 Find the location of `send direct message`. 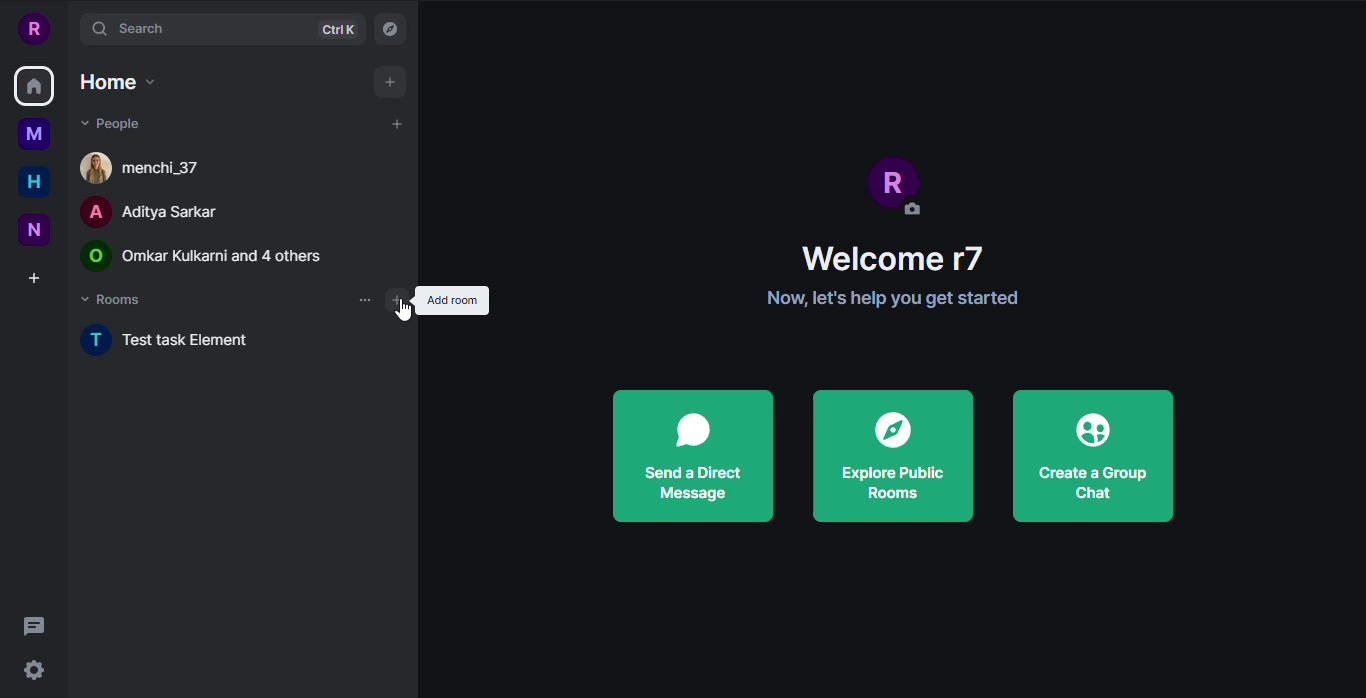

send direct message is located at coordinates (694, 456).